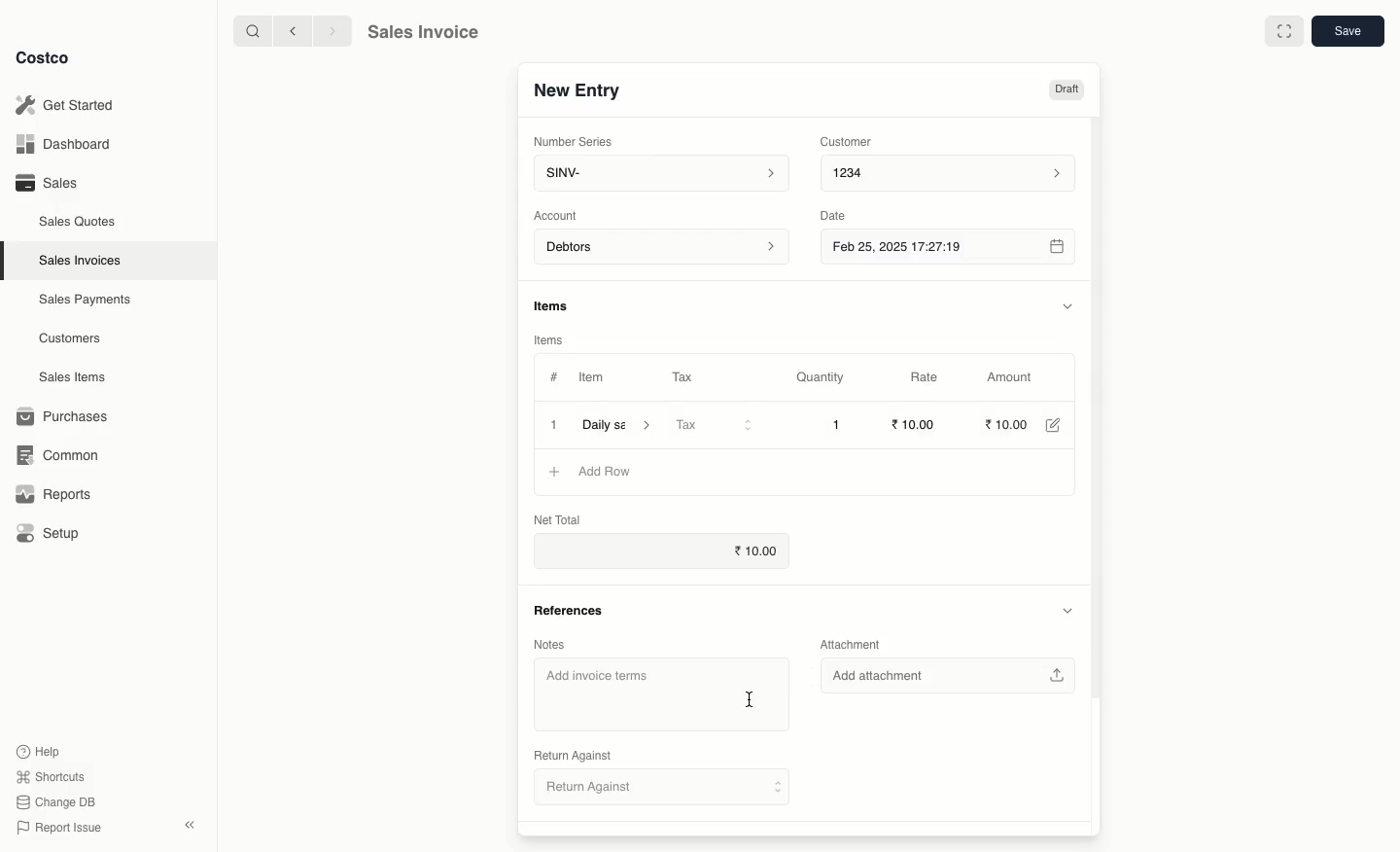 The image size is (1400, 852). Describe the element at coordinates (635, 695) in the screenshot. I see `Add invoice terms` at that location.